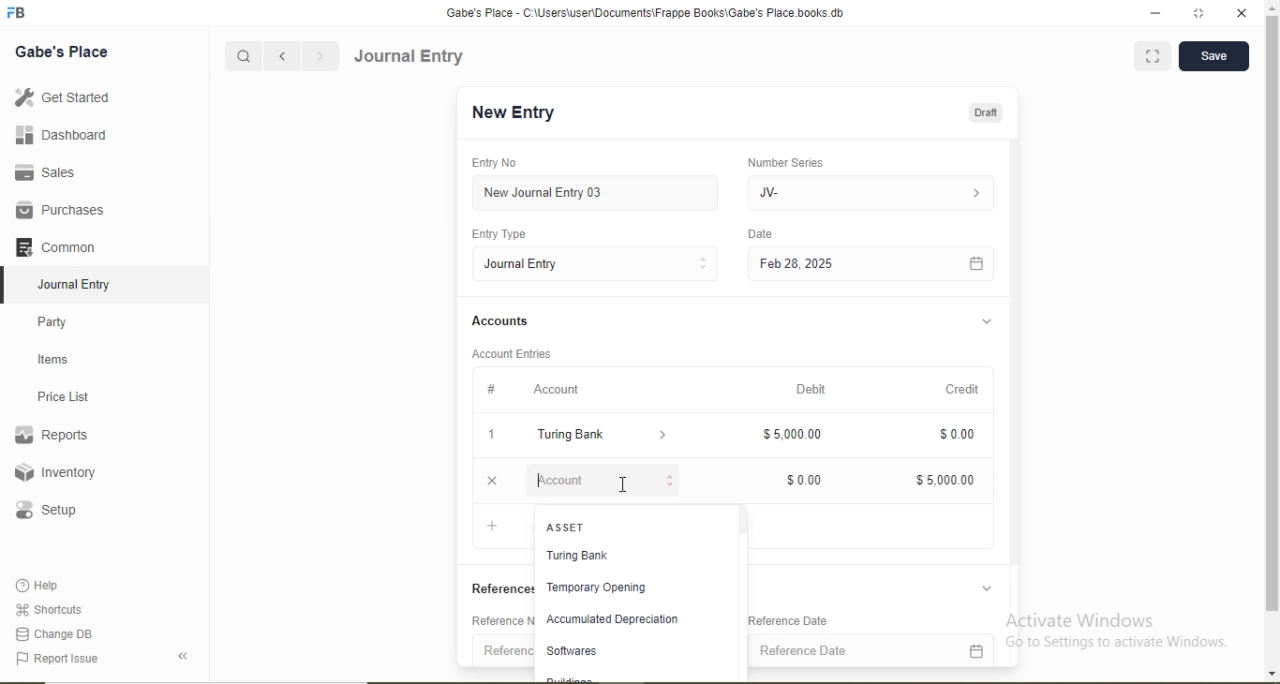 The width and height of the screenshot is (1280, 684). Describe the element at coordinates (545, 193) in the screenshot. I see `New Journal Entry 03` at that location.